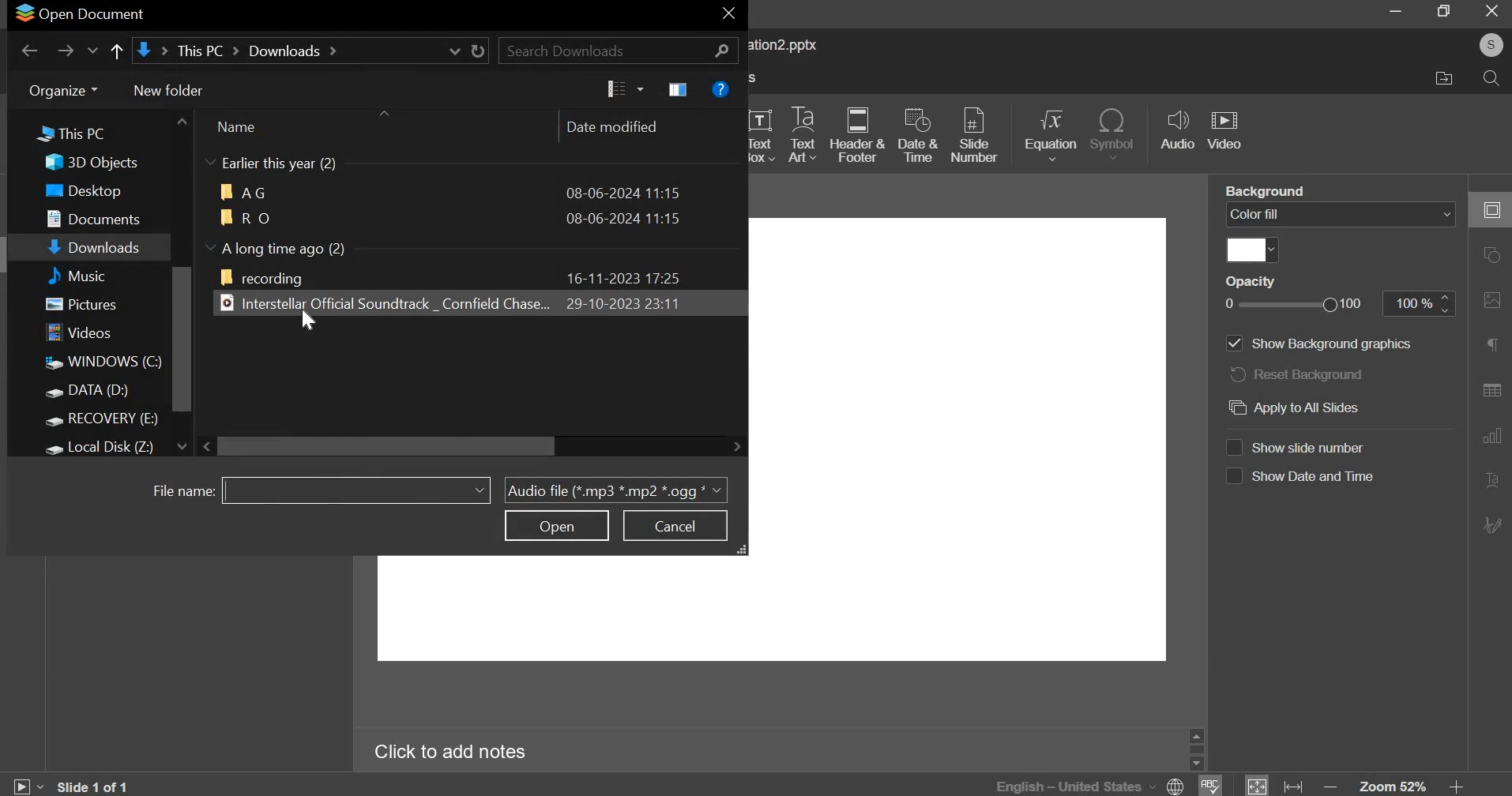 The image size is (1512, 796). Describe the element at coordinates (1300, 407) in the screenshot. I see `apply to all slides` at that location.